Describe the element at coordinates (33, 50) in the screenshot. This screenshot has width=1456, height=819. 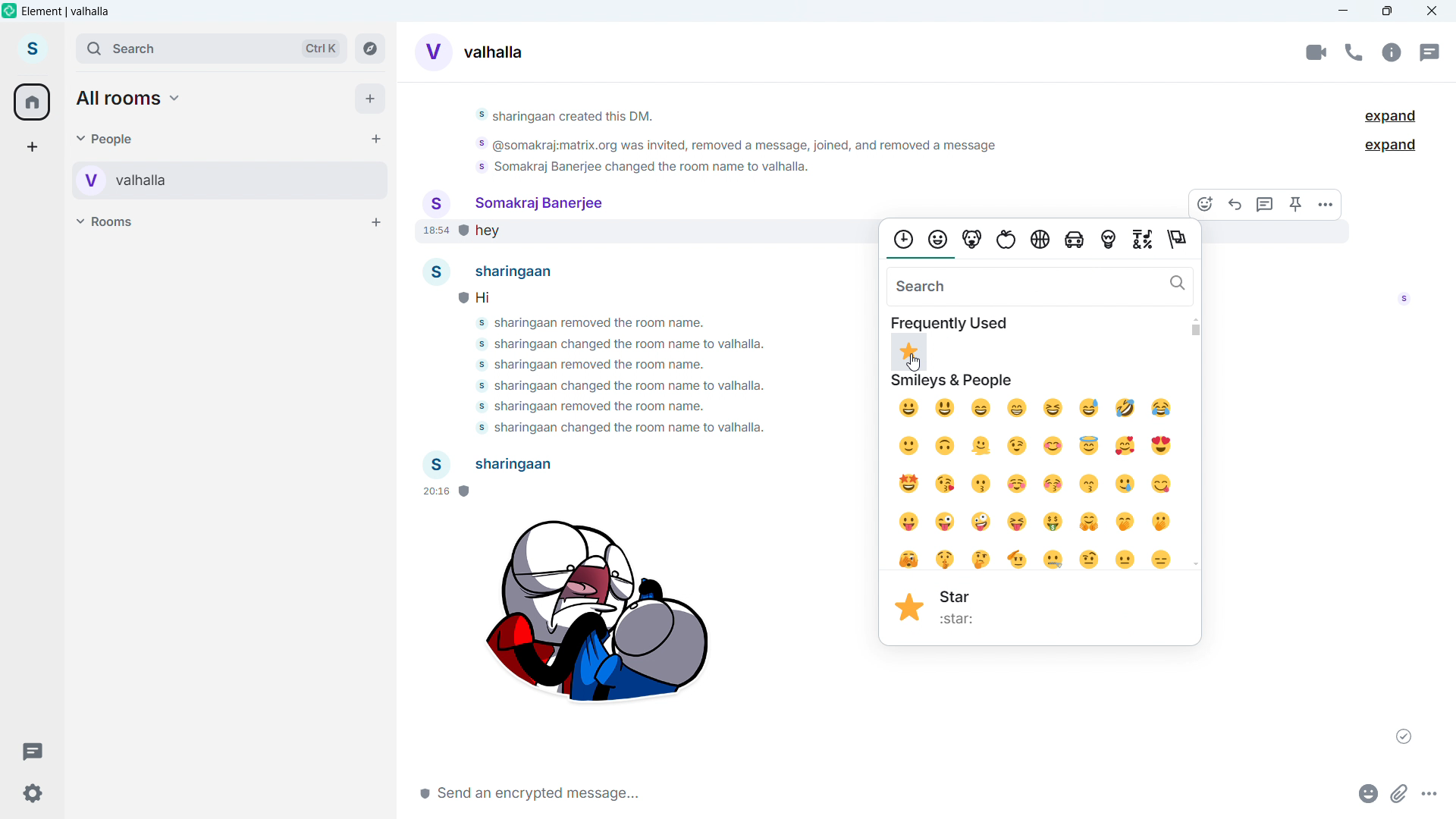
I see `account` at that location.